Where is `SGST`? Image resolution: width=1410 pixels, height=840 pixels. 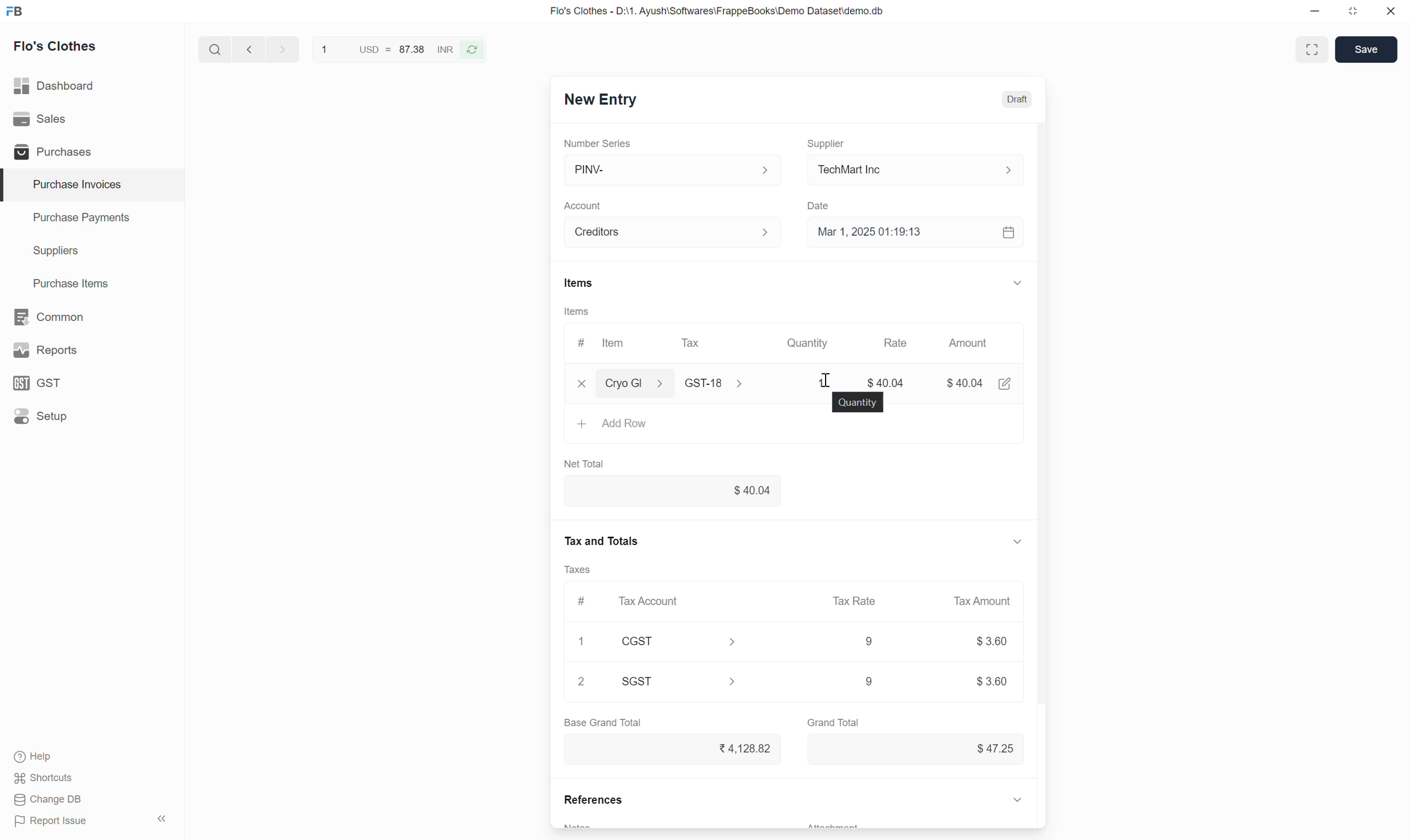 SGST is located at coordinates (687, 681).